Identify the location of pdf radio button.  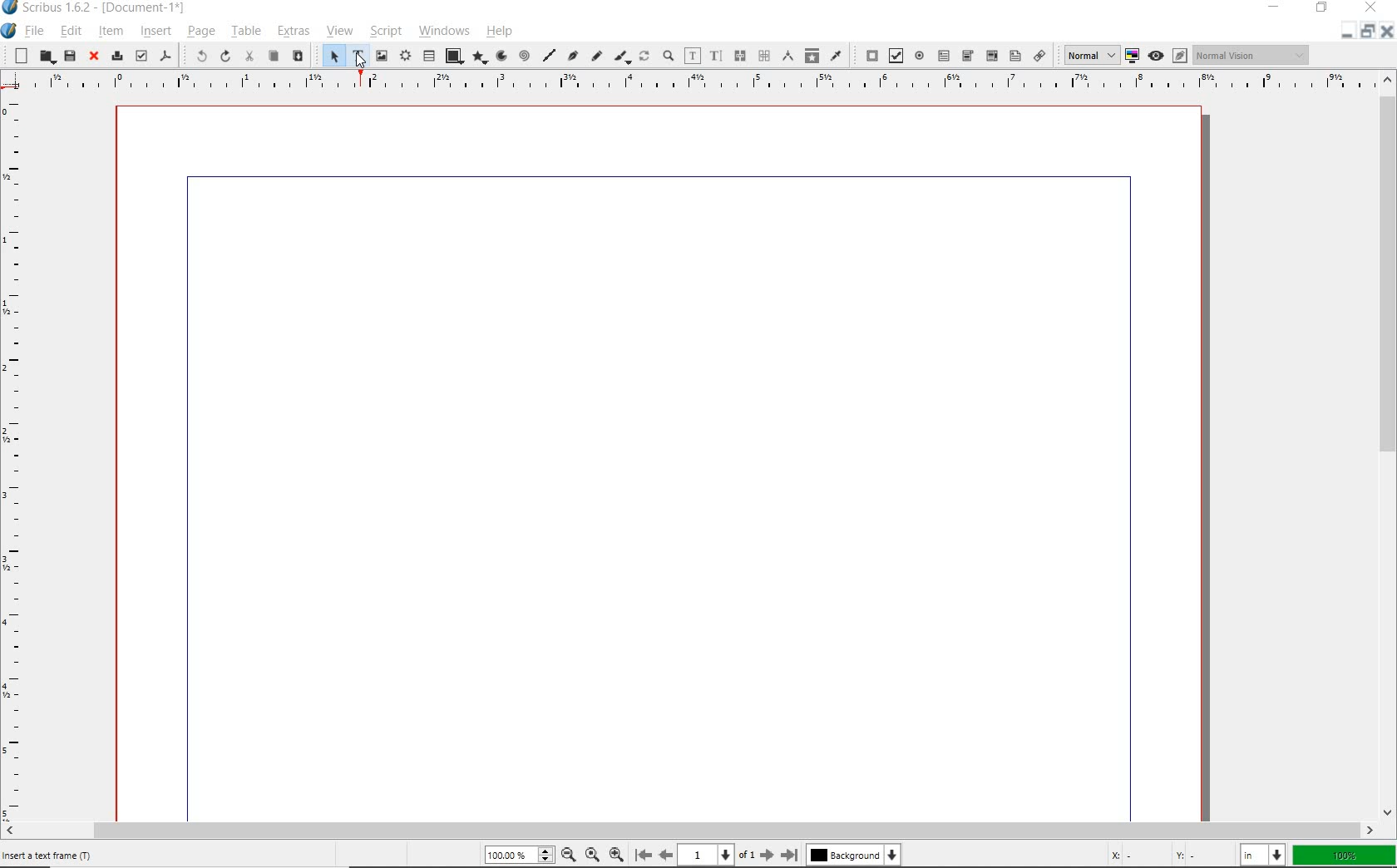
(920, 56).